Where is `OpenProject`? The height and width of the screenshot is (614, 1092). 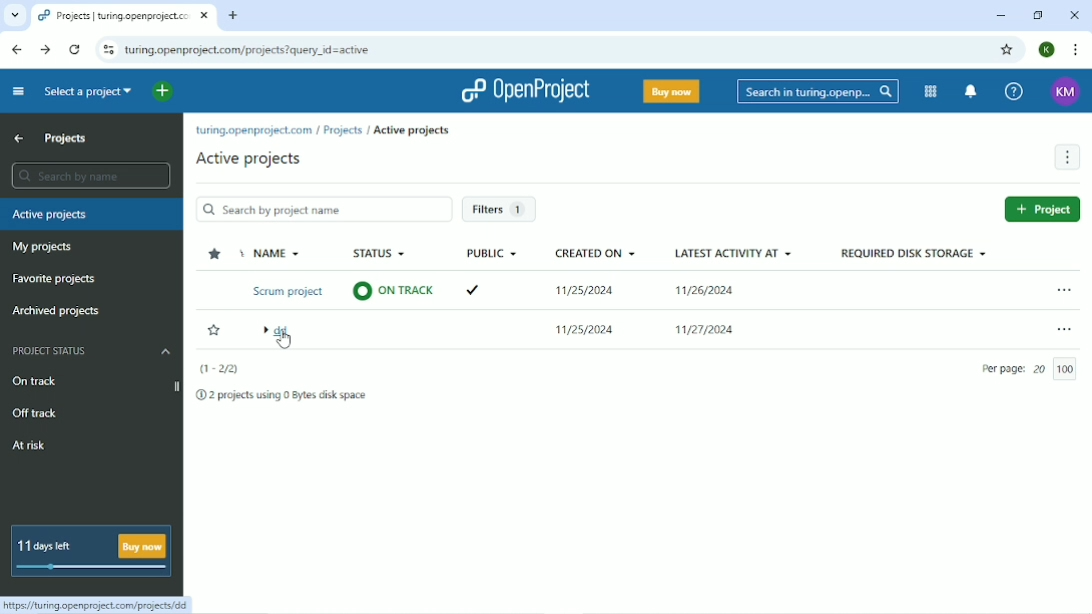 OpenProject is located at coordinates (526, 92).